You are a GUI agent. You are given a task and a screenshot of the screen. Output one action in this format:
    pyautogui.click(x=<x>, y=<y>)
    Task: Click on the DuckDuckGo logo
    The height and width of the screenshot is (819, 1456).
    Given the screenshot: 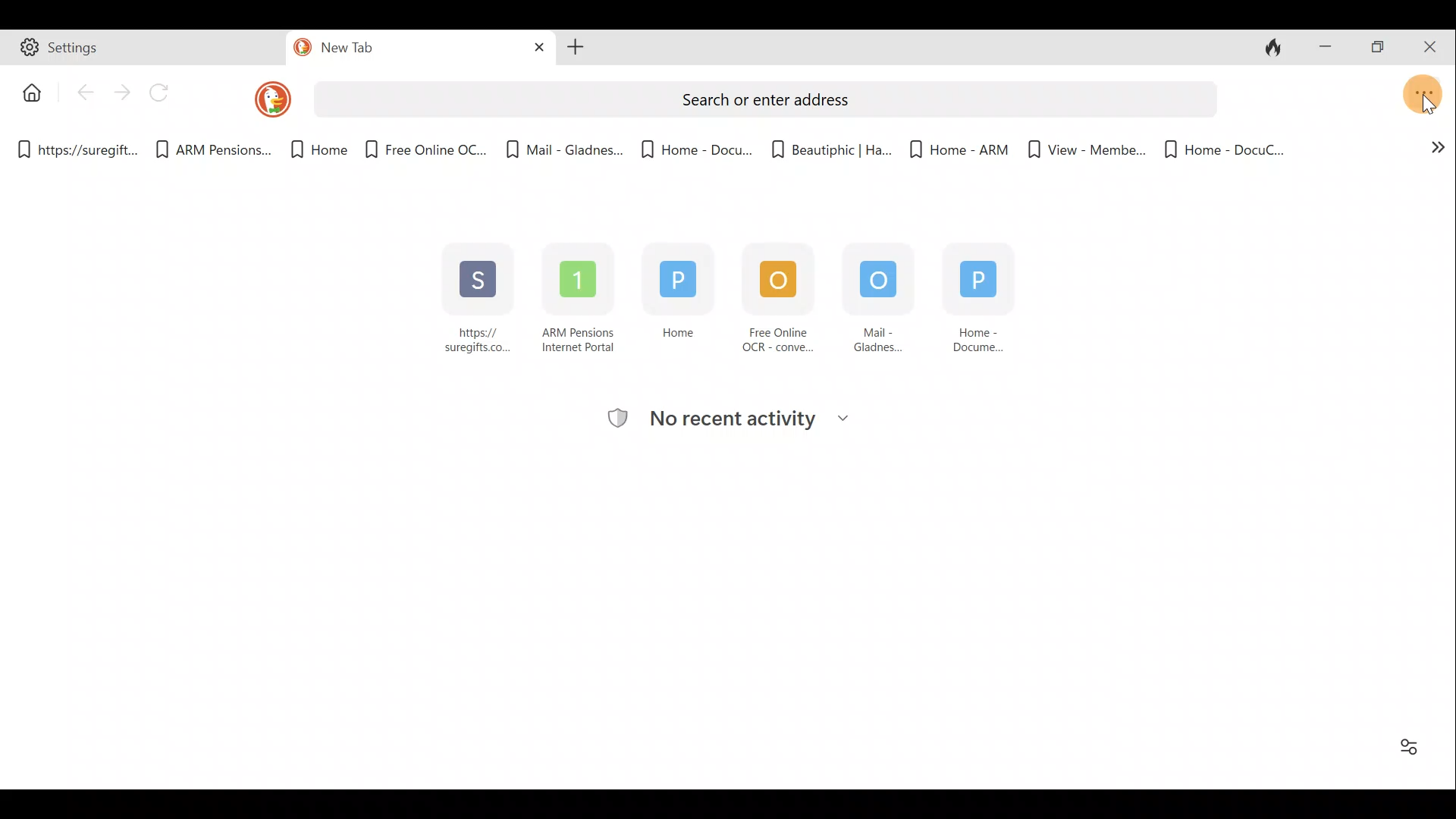 What is the action you would take?
    pyautogui.click(x=275, y=100)
    